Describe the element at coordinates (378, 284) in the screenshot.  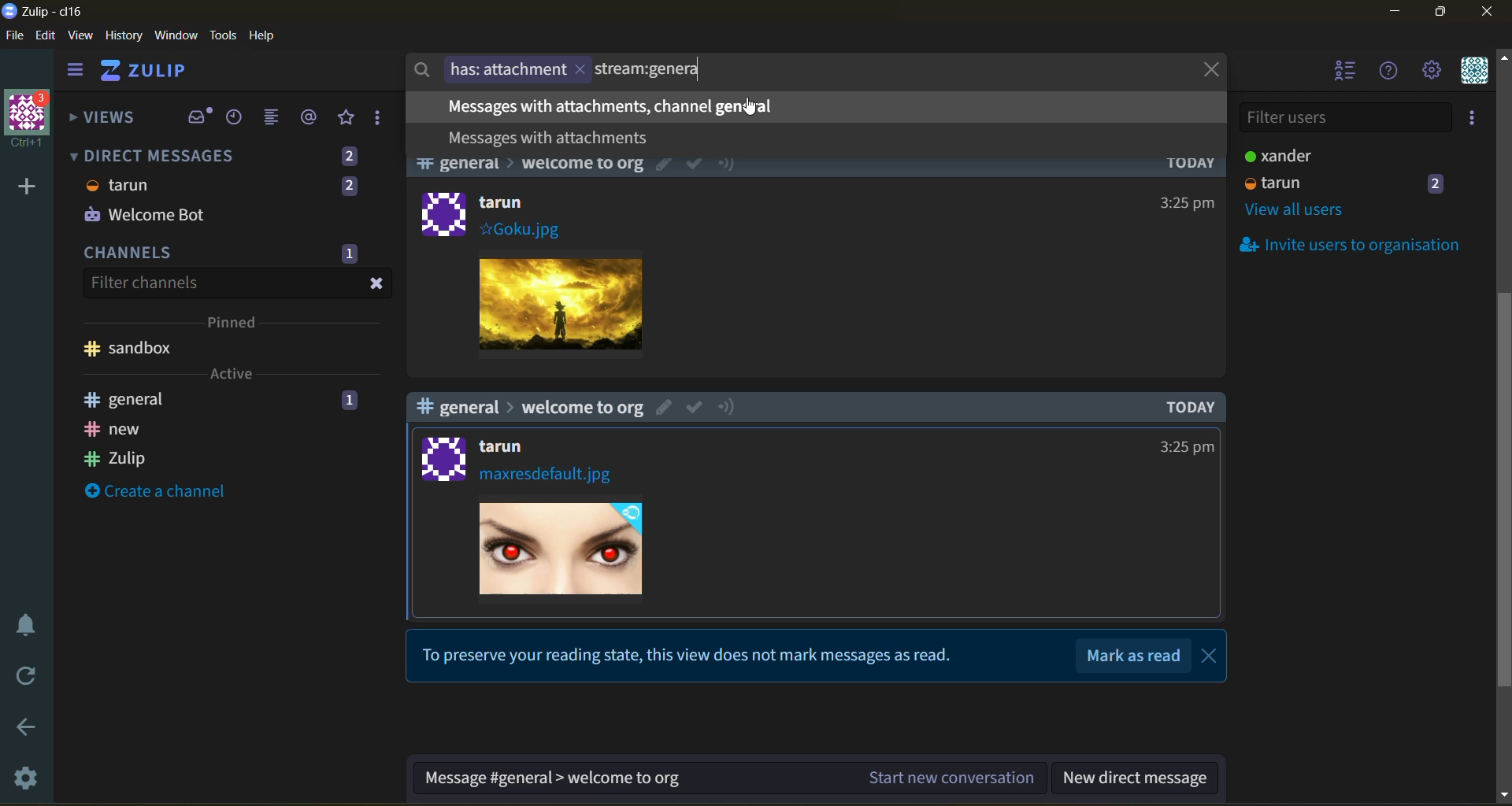
I see `close` at that location.